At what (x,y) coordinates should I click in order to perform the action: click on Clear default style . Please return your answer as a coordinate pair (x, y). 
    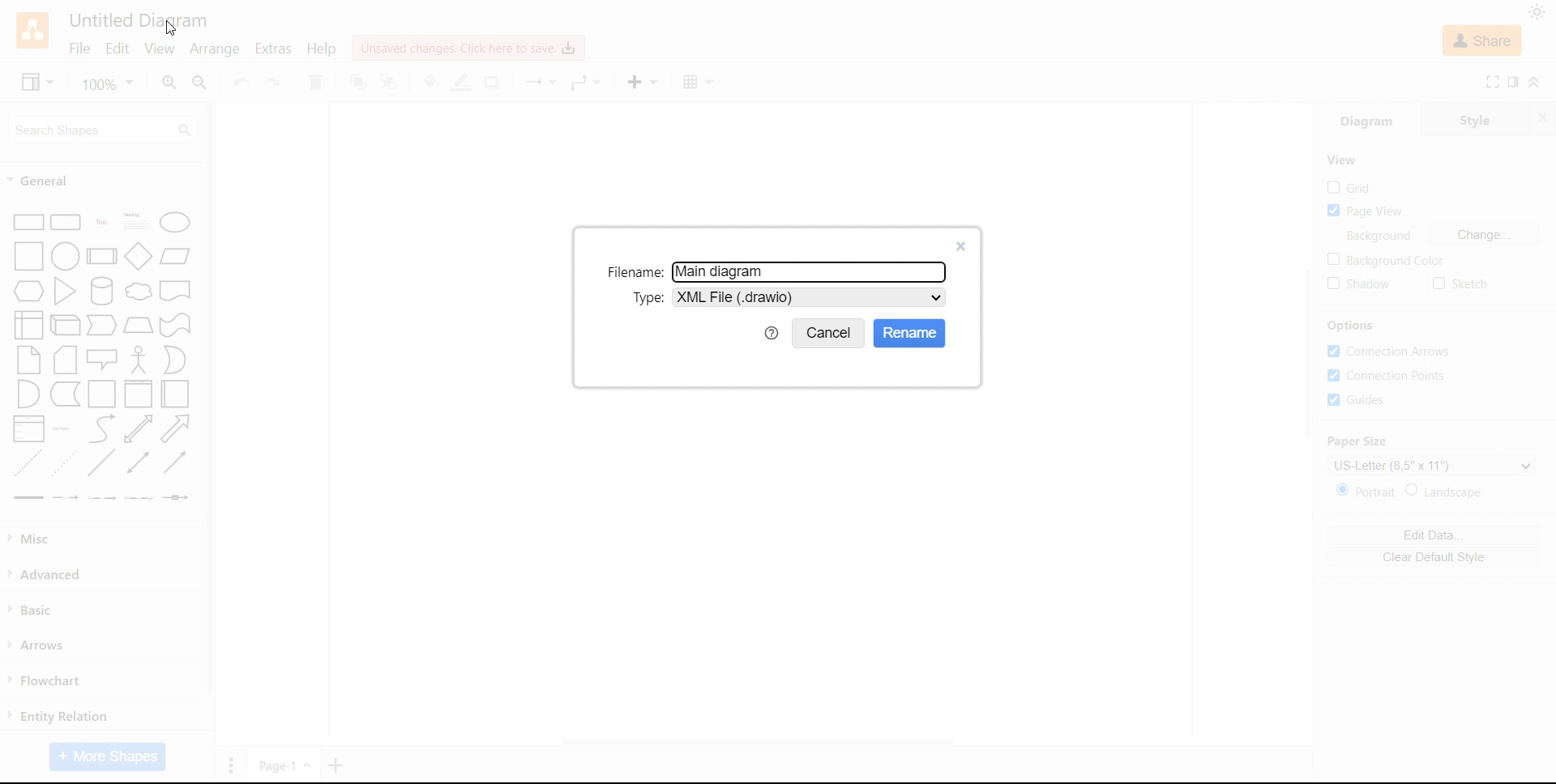
    Looking at the image, I should click on (1433, 556).